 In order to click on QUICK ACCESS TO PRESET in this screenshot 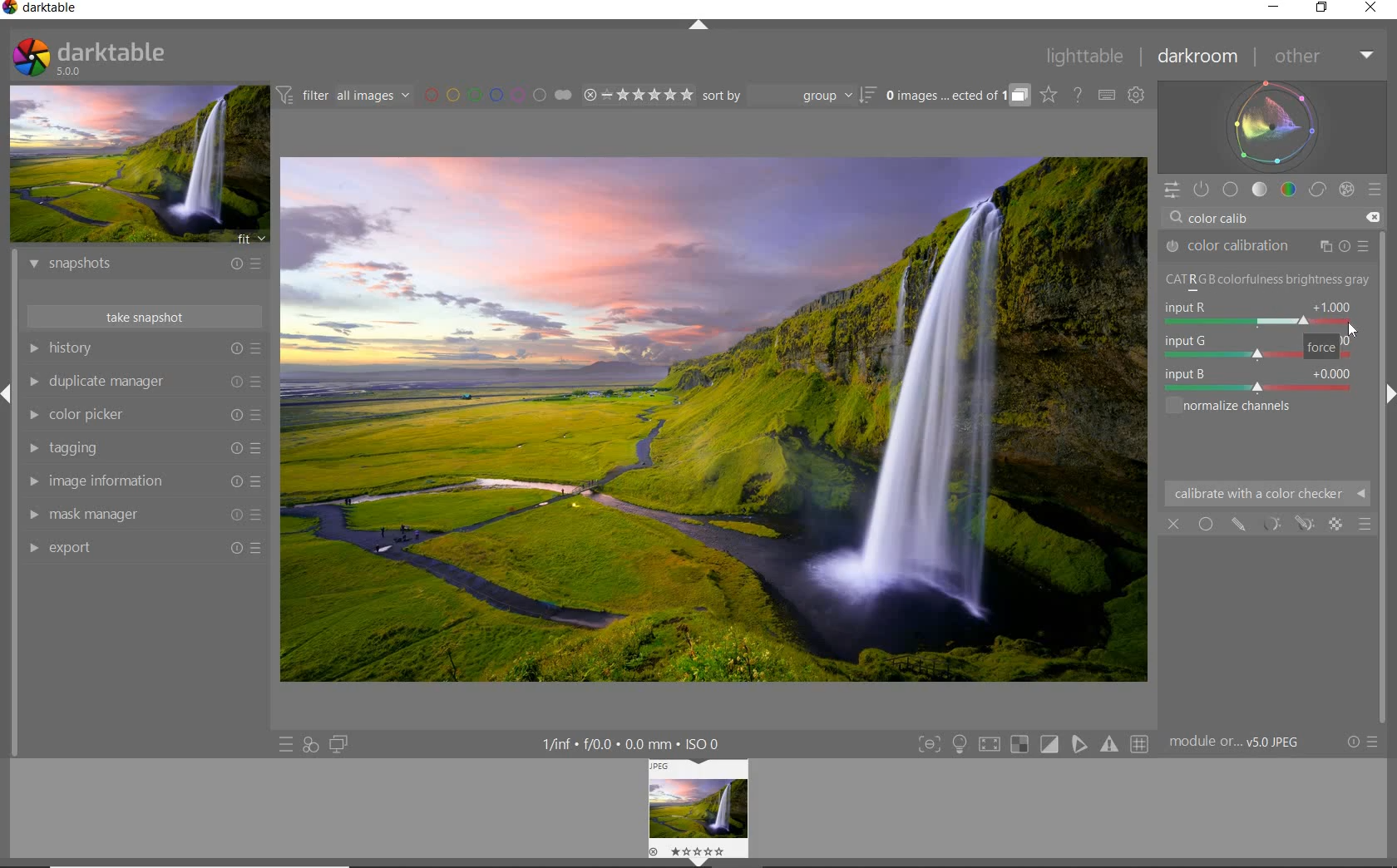, I will do `click(285, 743)`.